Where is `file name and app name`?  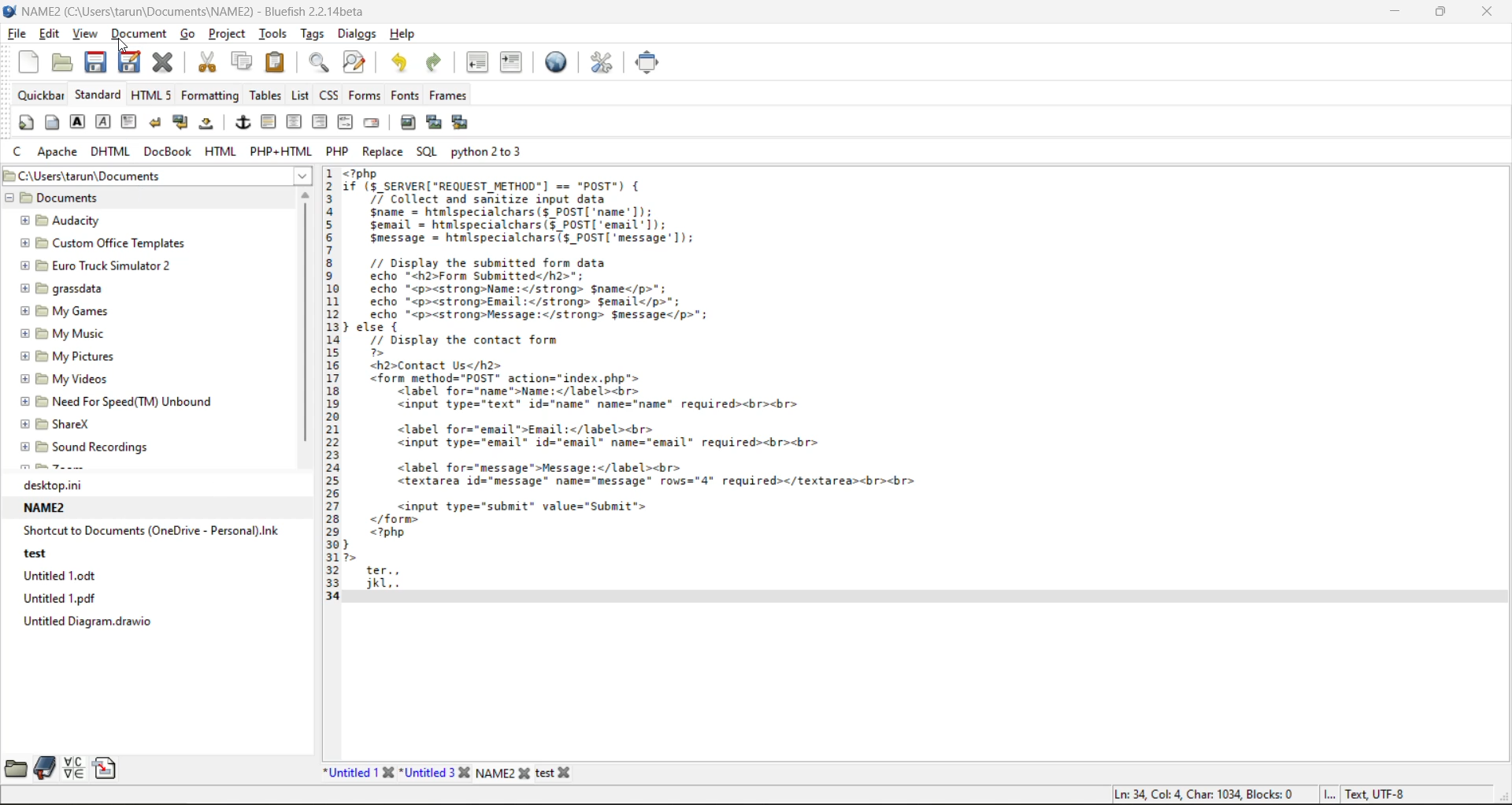 file name and app name is located at coordinates (188, 9).